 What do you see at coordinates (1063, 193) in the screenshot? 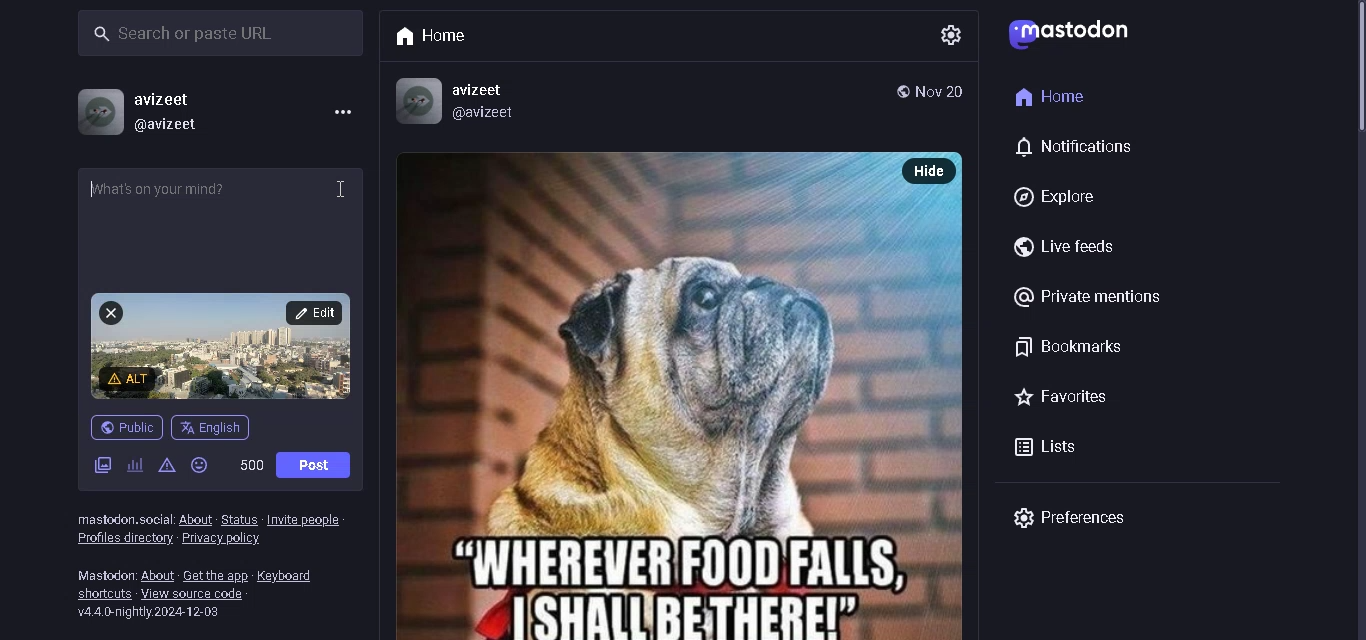
I see `explore` at bounding box center [1063, 193].